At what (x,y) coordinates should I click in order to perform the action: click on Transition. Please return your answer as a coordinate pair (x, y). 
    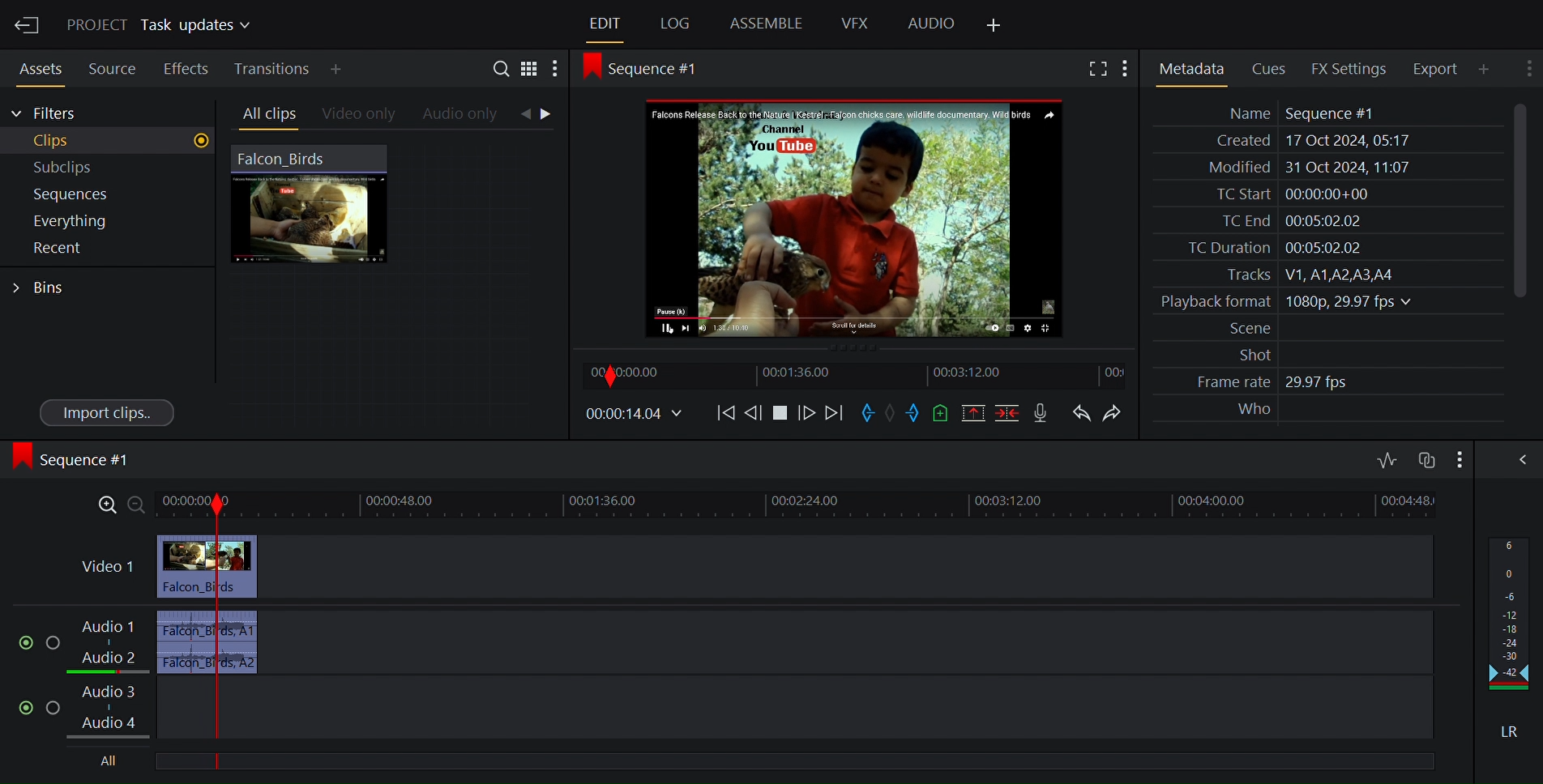
    Looking at the image, I should click on (270, 69).